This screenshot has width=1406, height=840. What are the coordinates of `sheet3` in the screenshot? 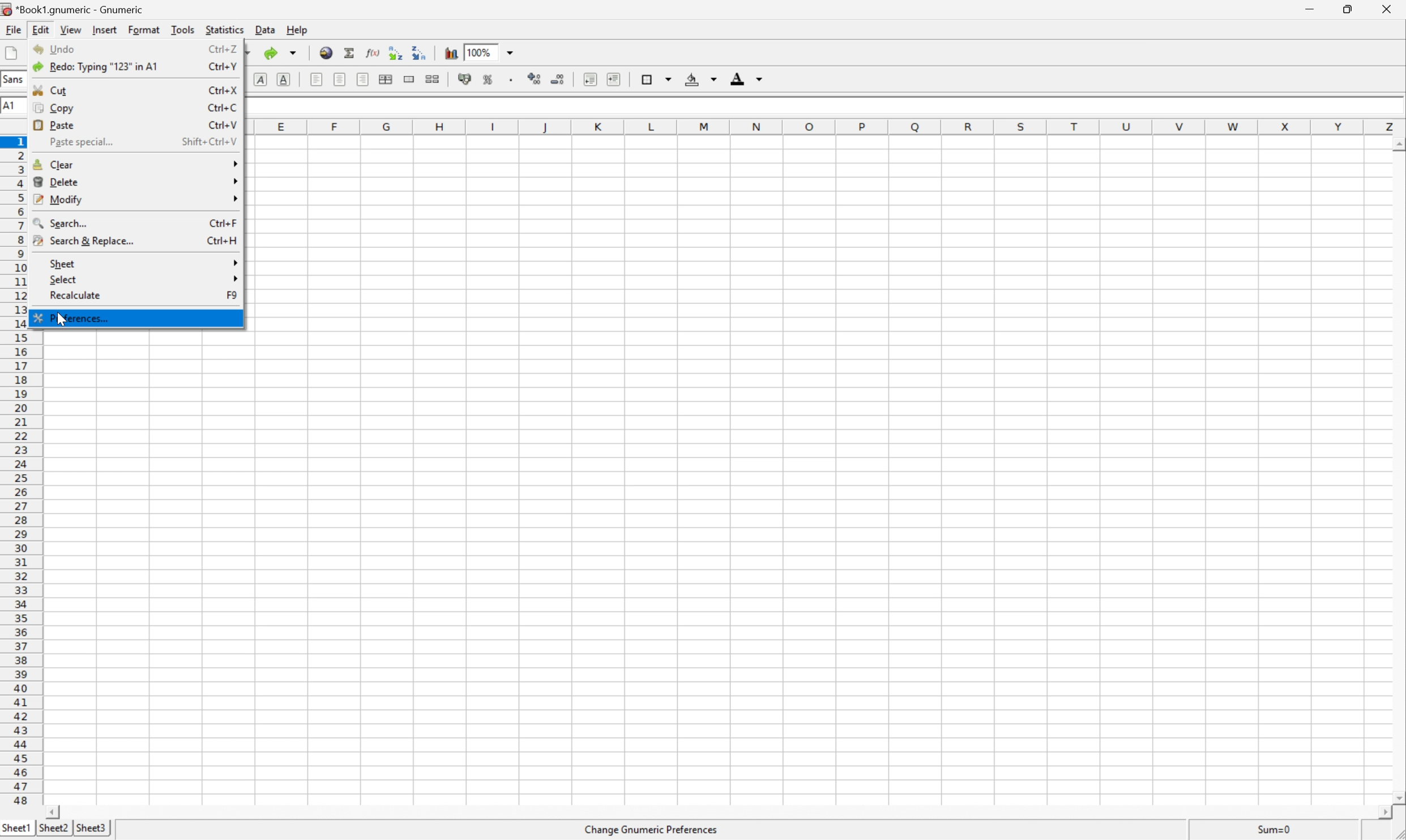 It's located at (91, 831).